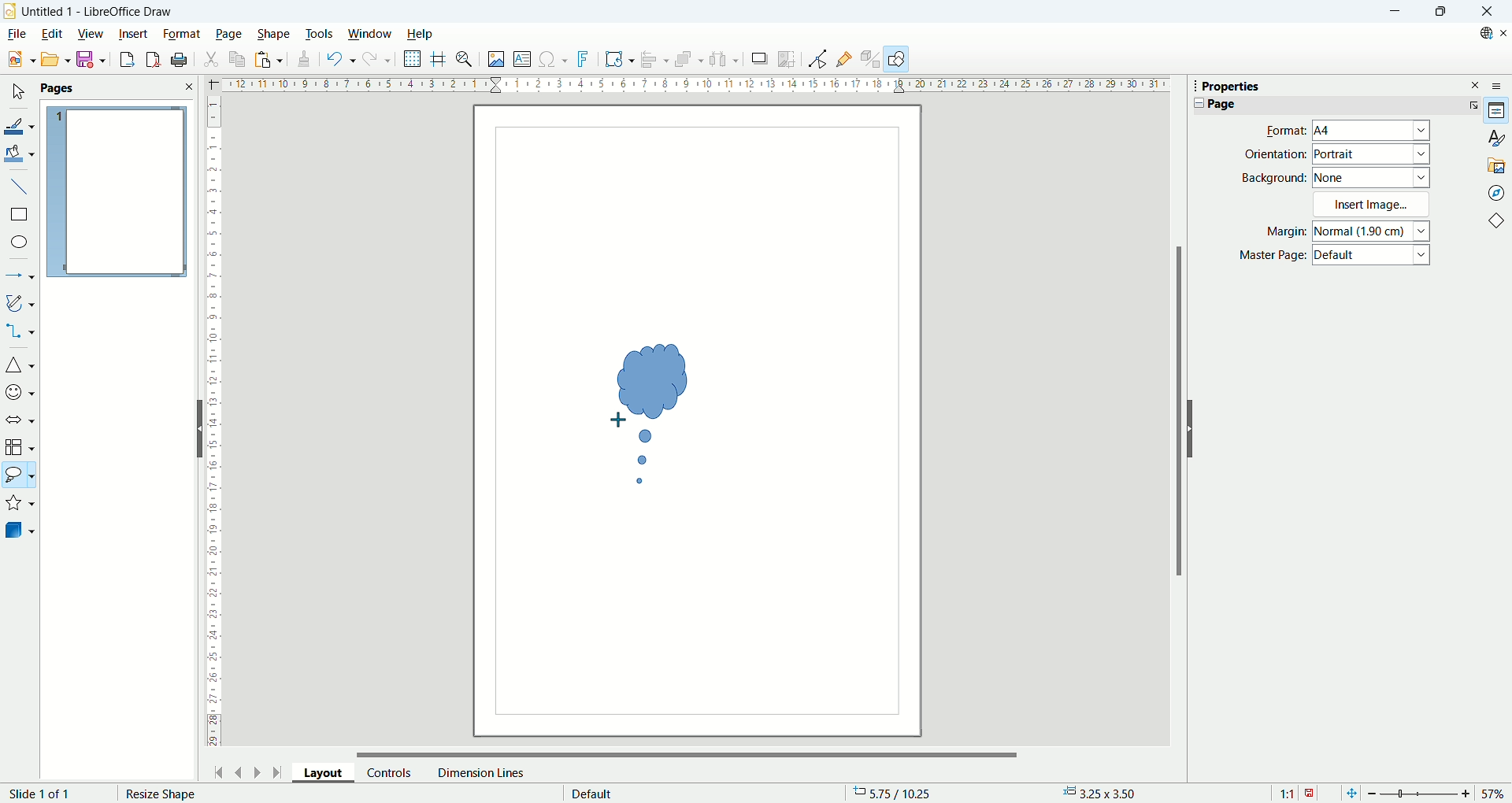 The height and width of the screenshot is (803, 1512). What do you see at coordinates (20, 505) in the screenshot?
I see `stars and banners` at bounding box center [20, 505].